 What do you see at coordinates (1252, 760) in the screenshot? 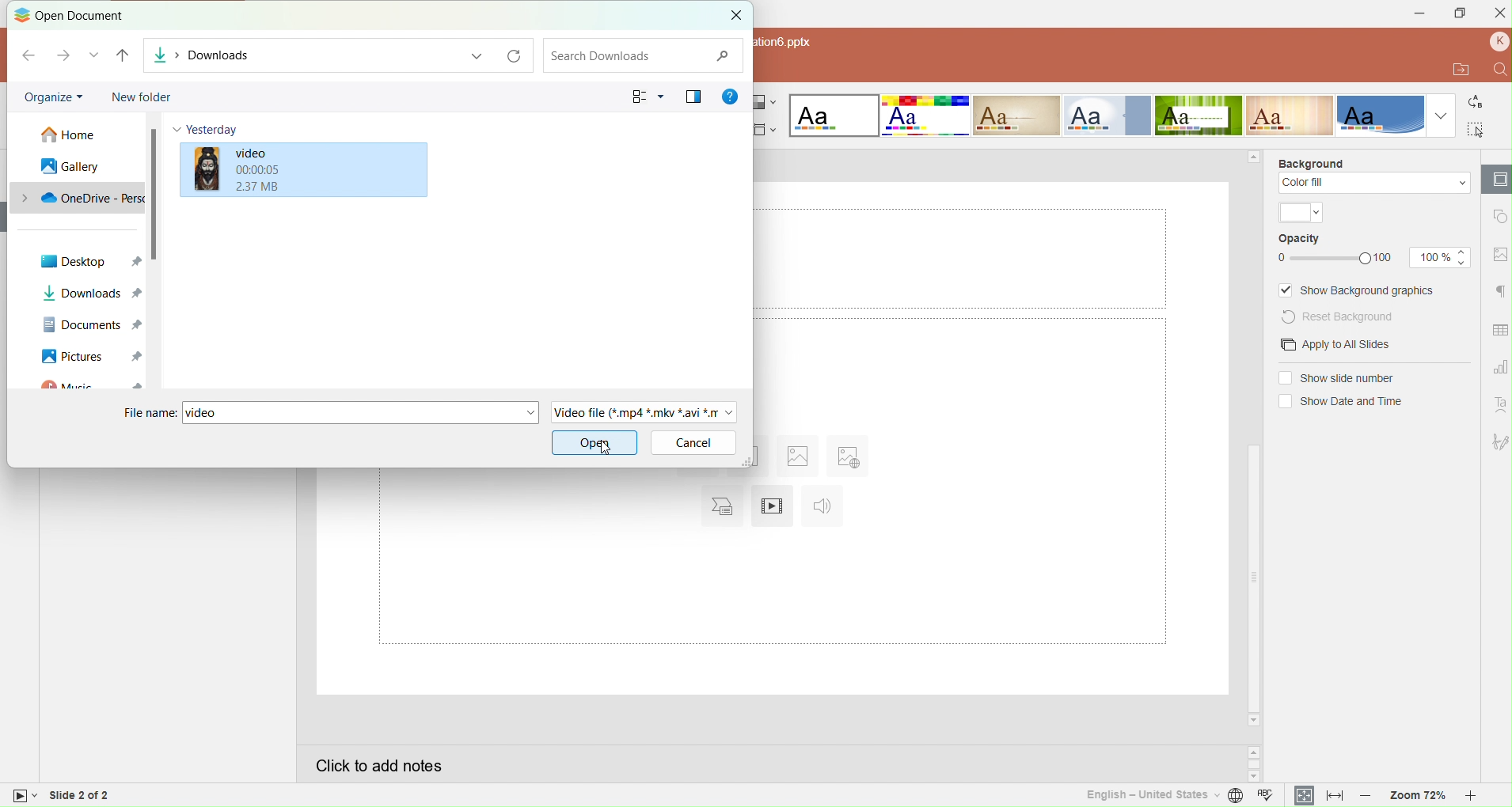
I see `Scroll buttons` at bounding box center [1252, 760].